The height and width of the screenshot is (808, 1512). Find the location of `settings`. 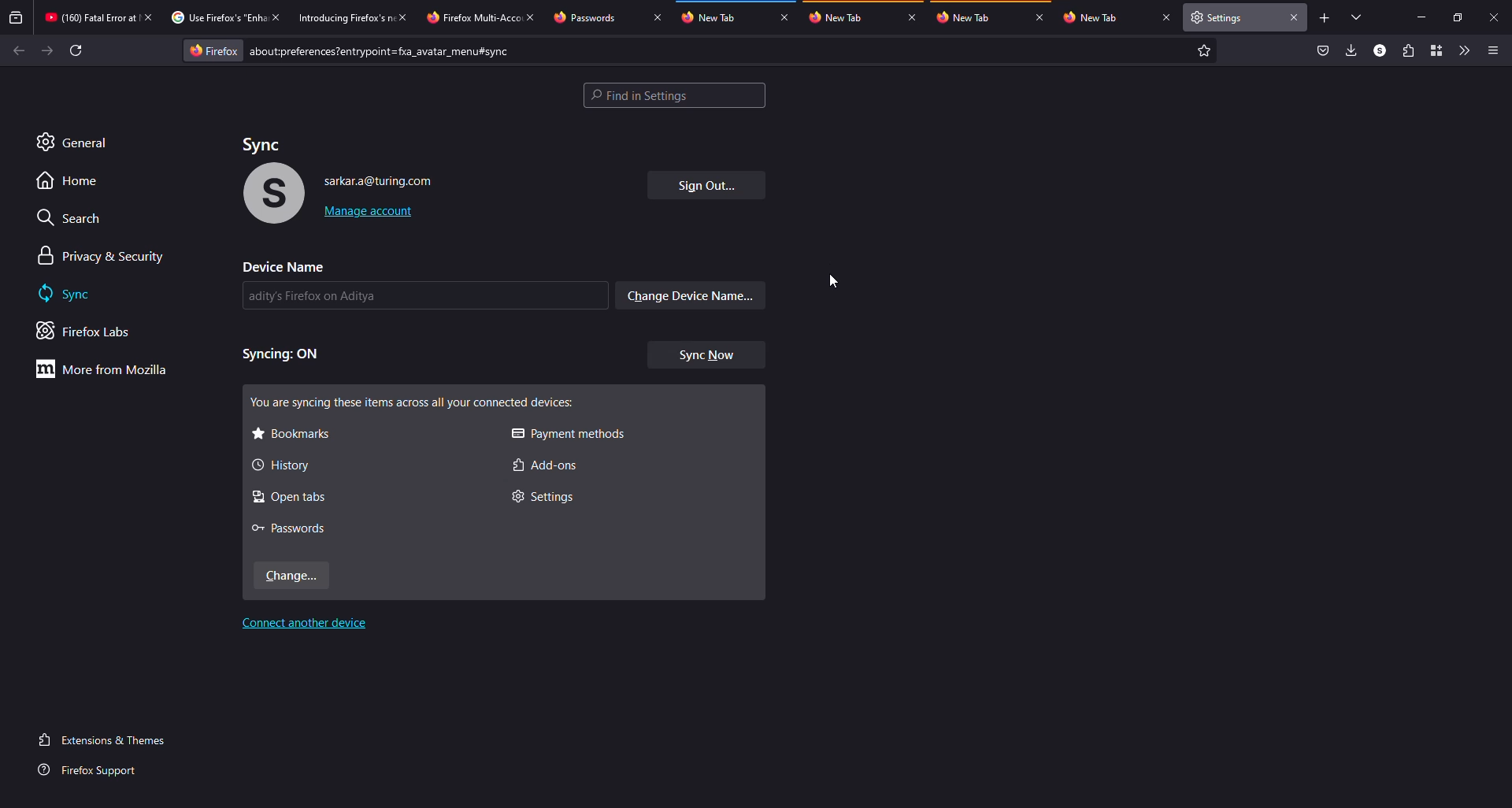

settings is located at coordinates (542, 496).